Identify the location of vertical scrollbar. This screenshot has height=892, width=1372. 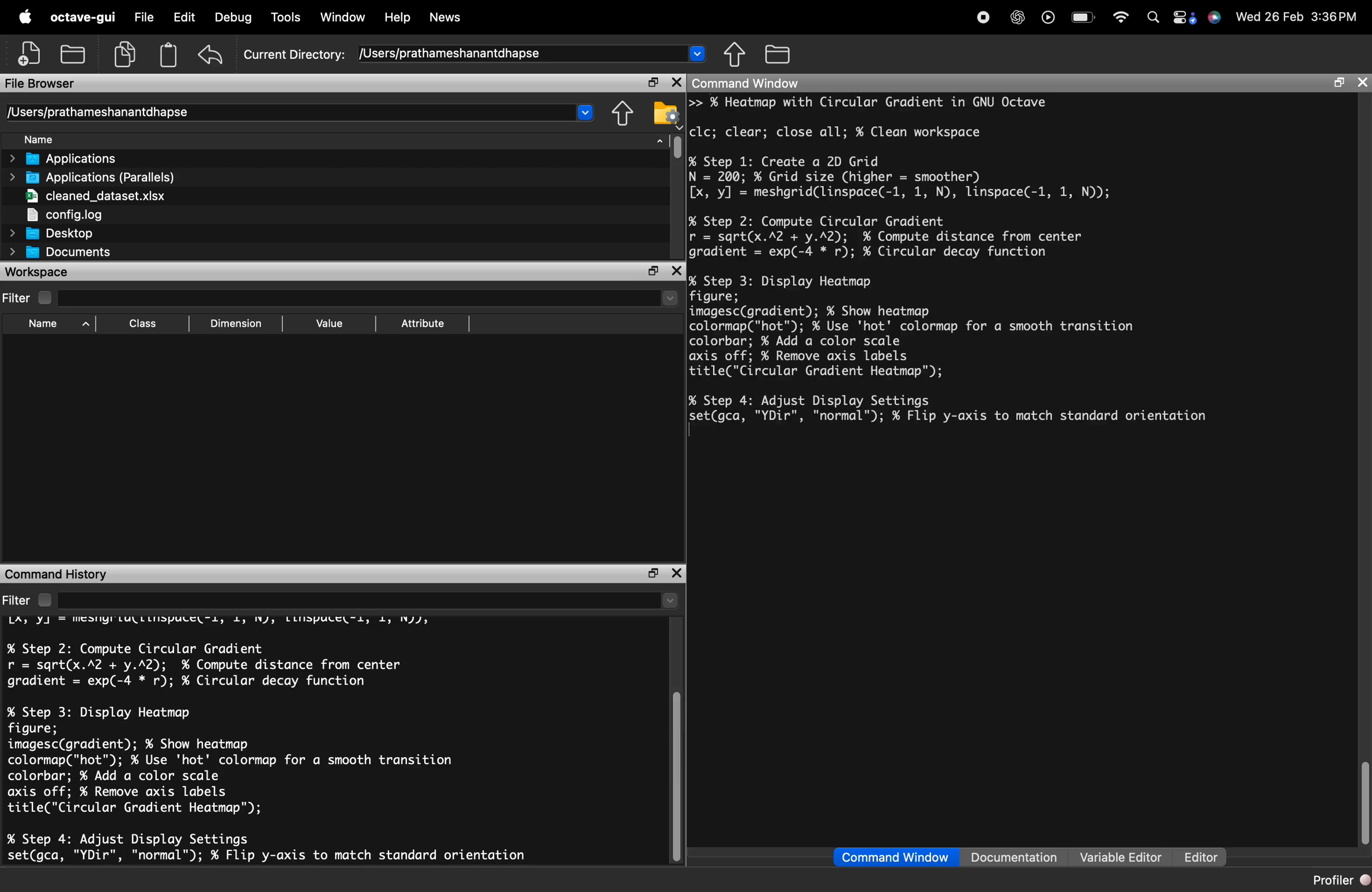
(1363, 803).